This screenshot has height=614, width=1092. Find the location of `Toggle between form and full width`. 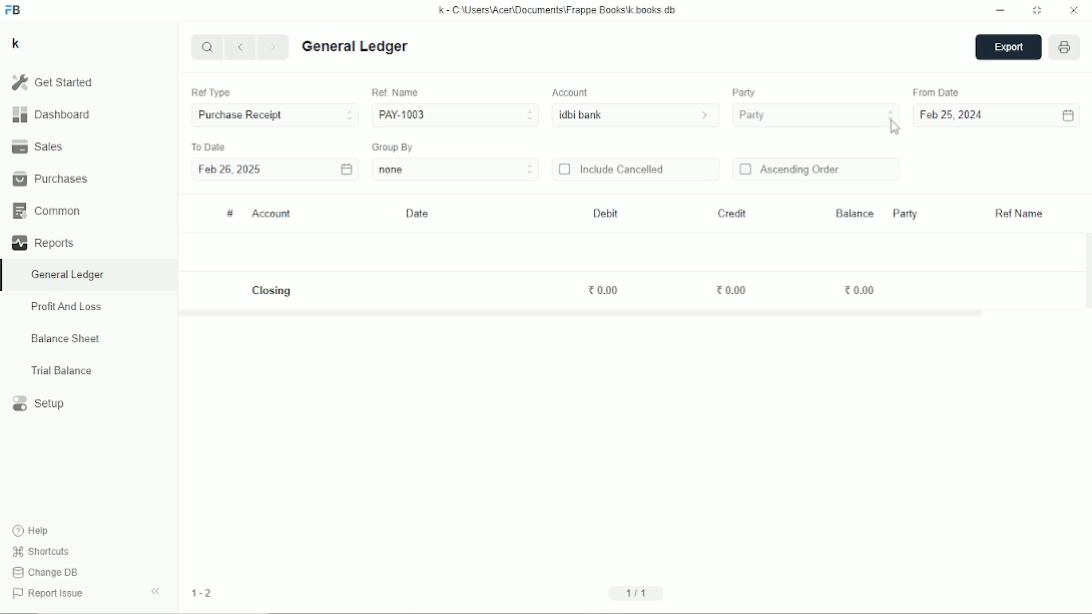

Toggle between form and full width is located at coordinates (1037, 11).